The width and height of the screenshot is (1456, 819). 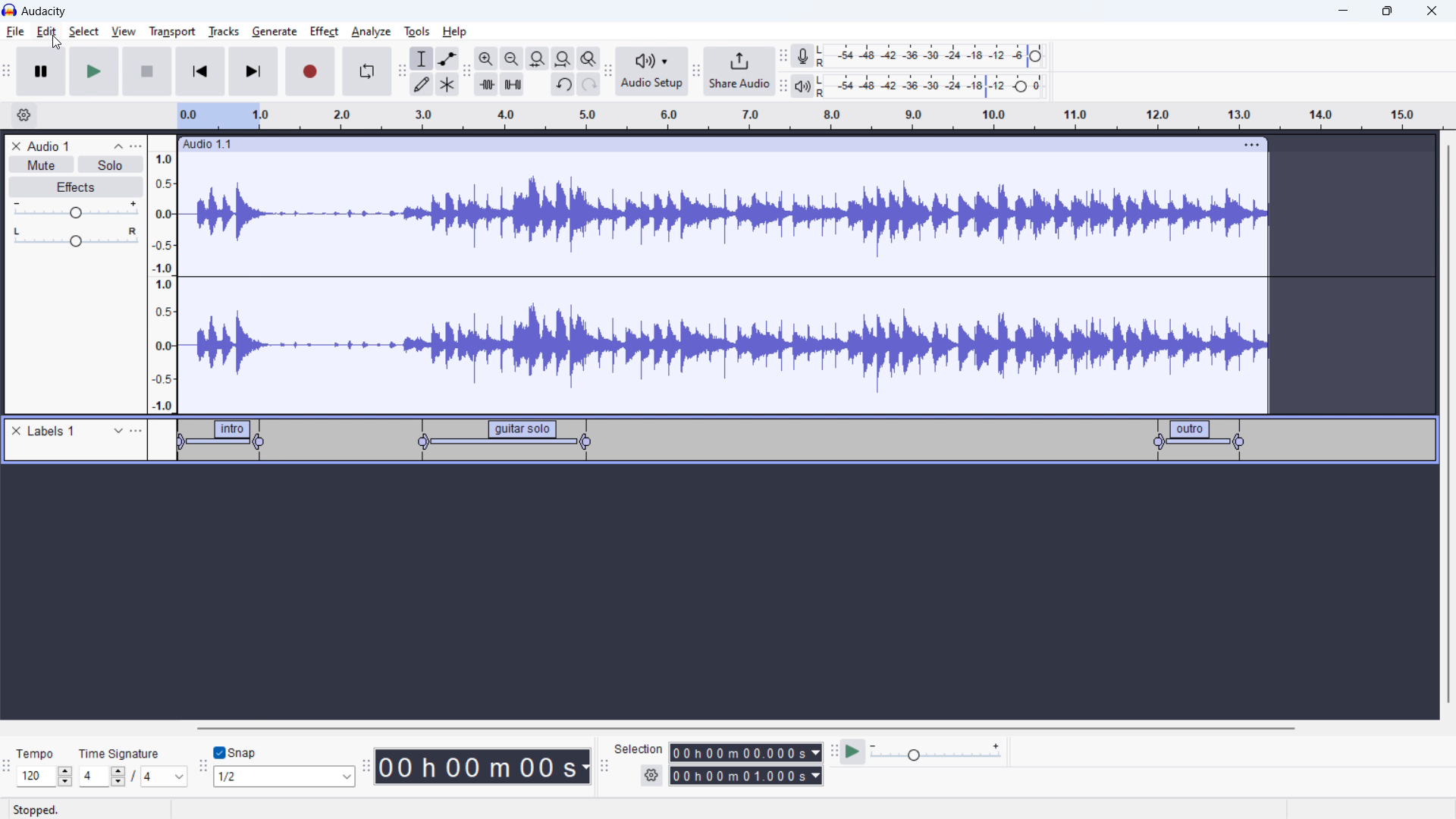 What do you see at coordinates (24, 116) in the screenshot?
I see `timeline settings` at bounding box center [24, 116].